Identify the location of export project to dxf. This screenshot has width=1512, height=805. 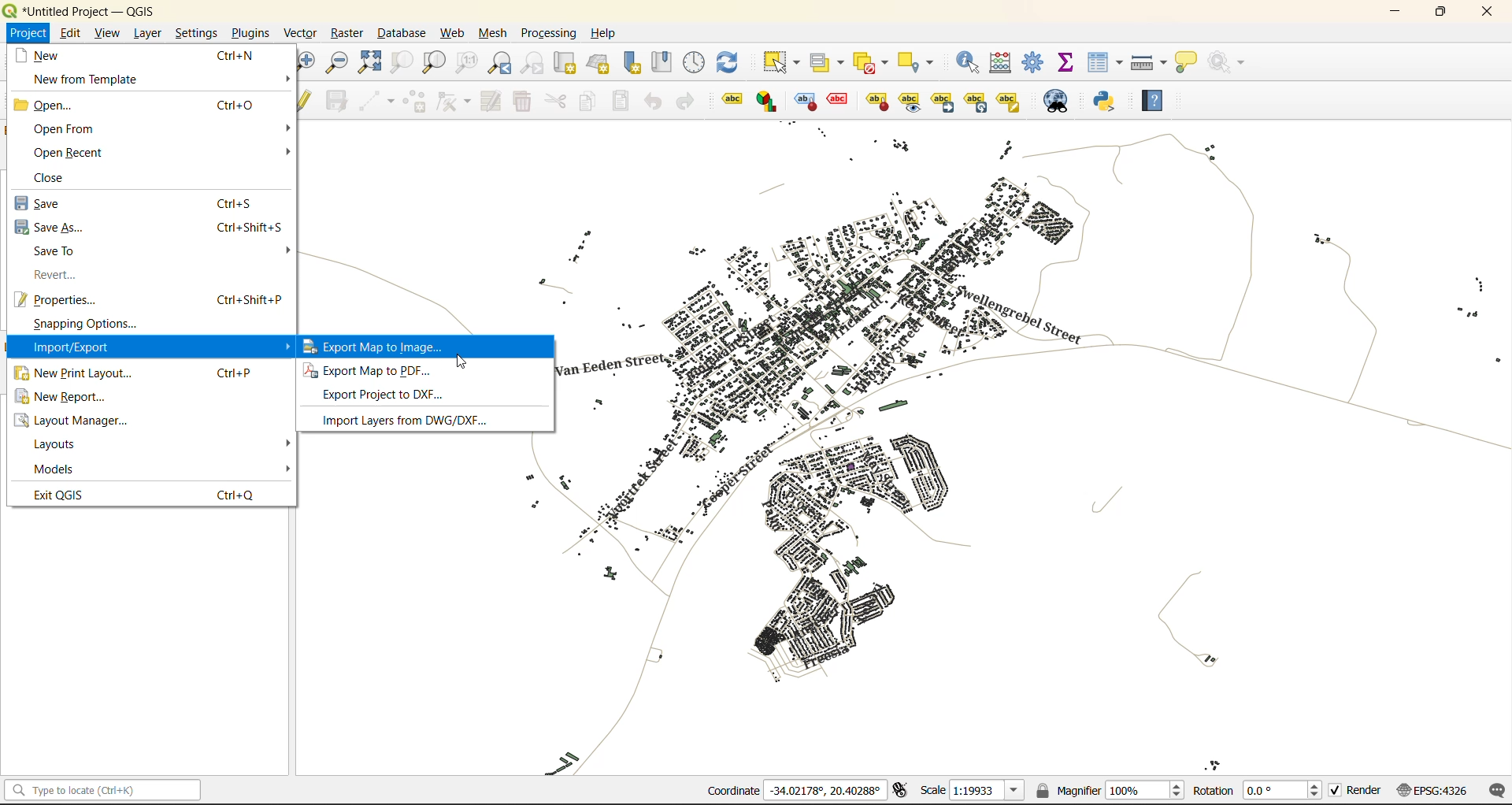
(395, 397).